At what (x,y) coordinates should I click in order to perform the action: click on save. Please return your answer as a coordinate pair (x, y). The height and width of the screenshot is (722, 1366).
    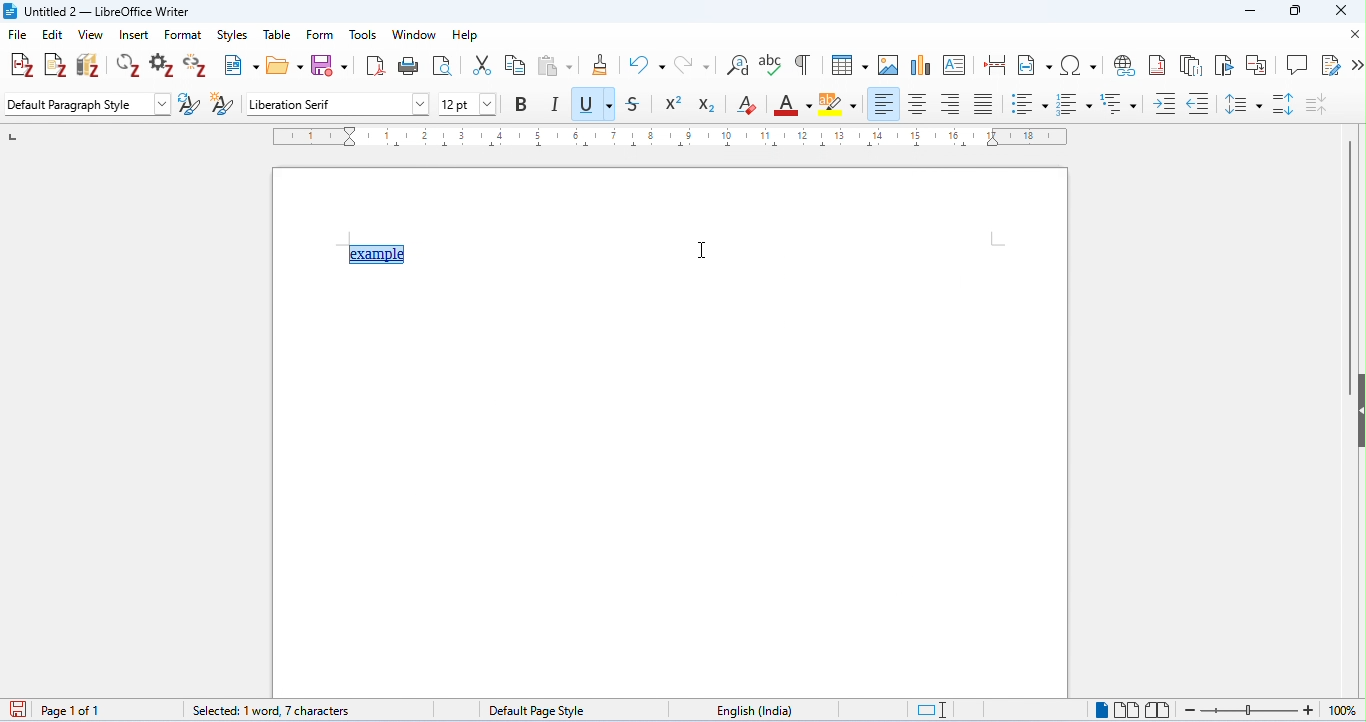
    Looking at the image, I should click on (330, 65).